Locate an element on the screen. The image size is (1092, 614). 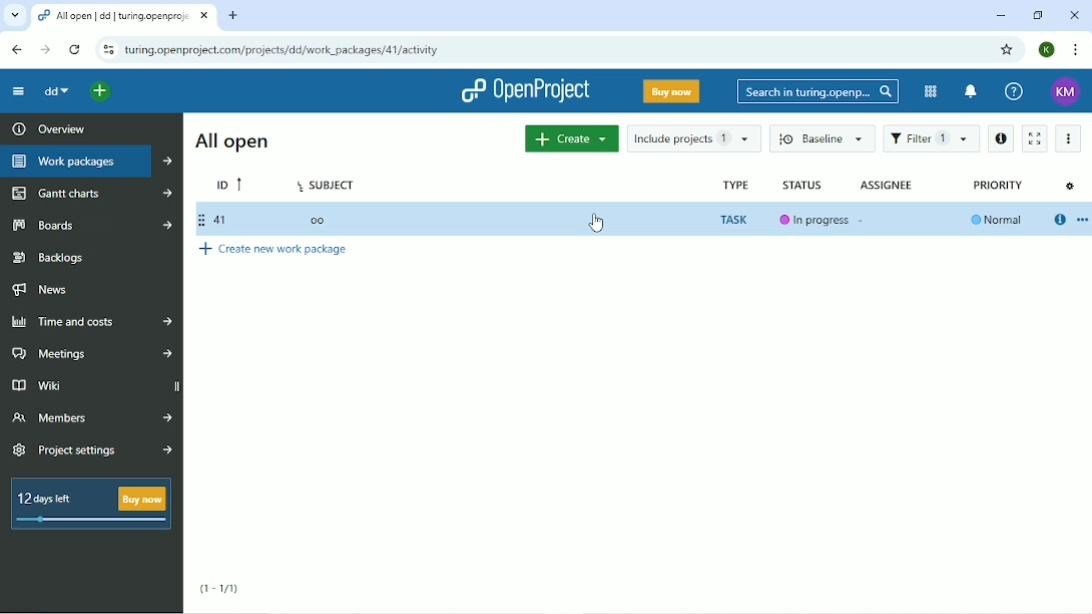
Forward is located at coordinates (45, 50).